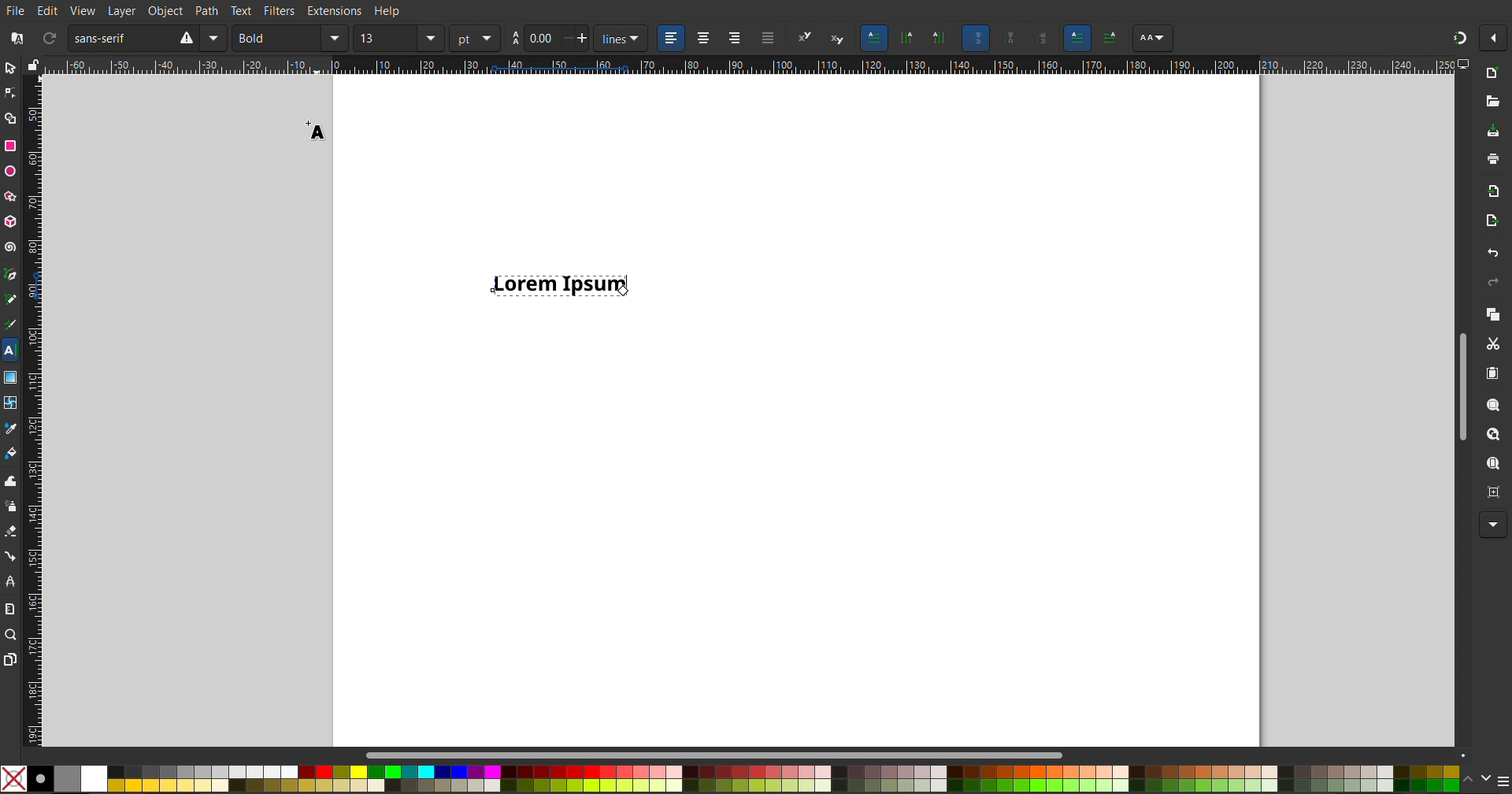 This screenshot has height=794, width=1512. I want to click on Scrollbar, so click(1462, 382).